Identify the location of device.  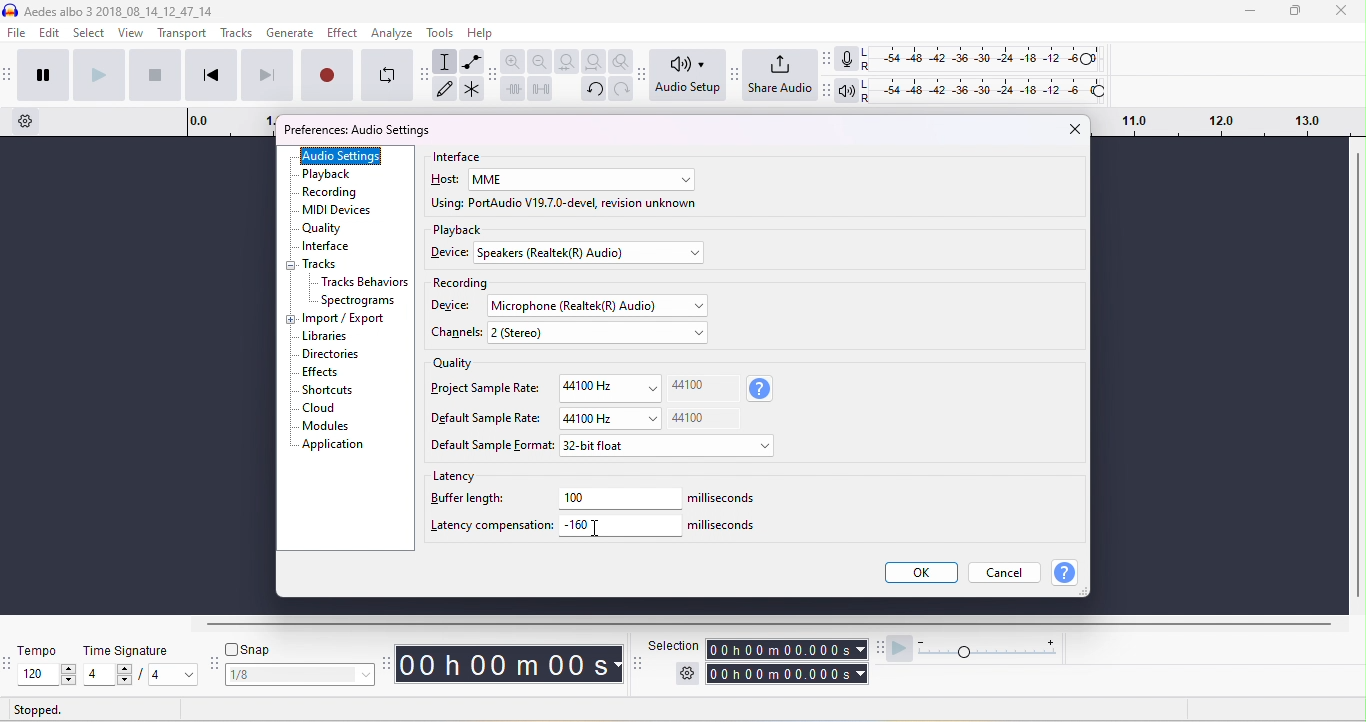
(451, 305).